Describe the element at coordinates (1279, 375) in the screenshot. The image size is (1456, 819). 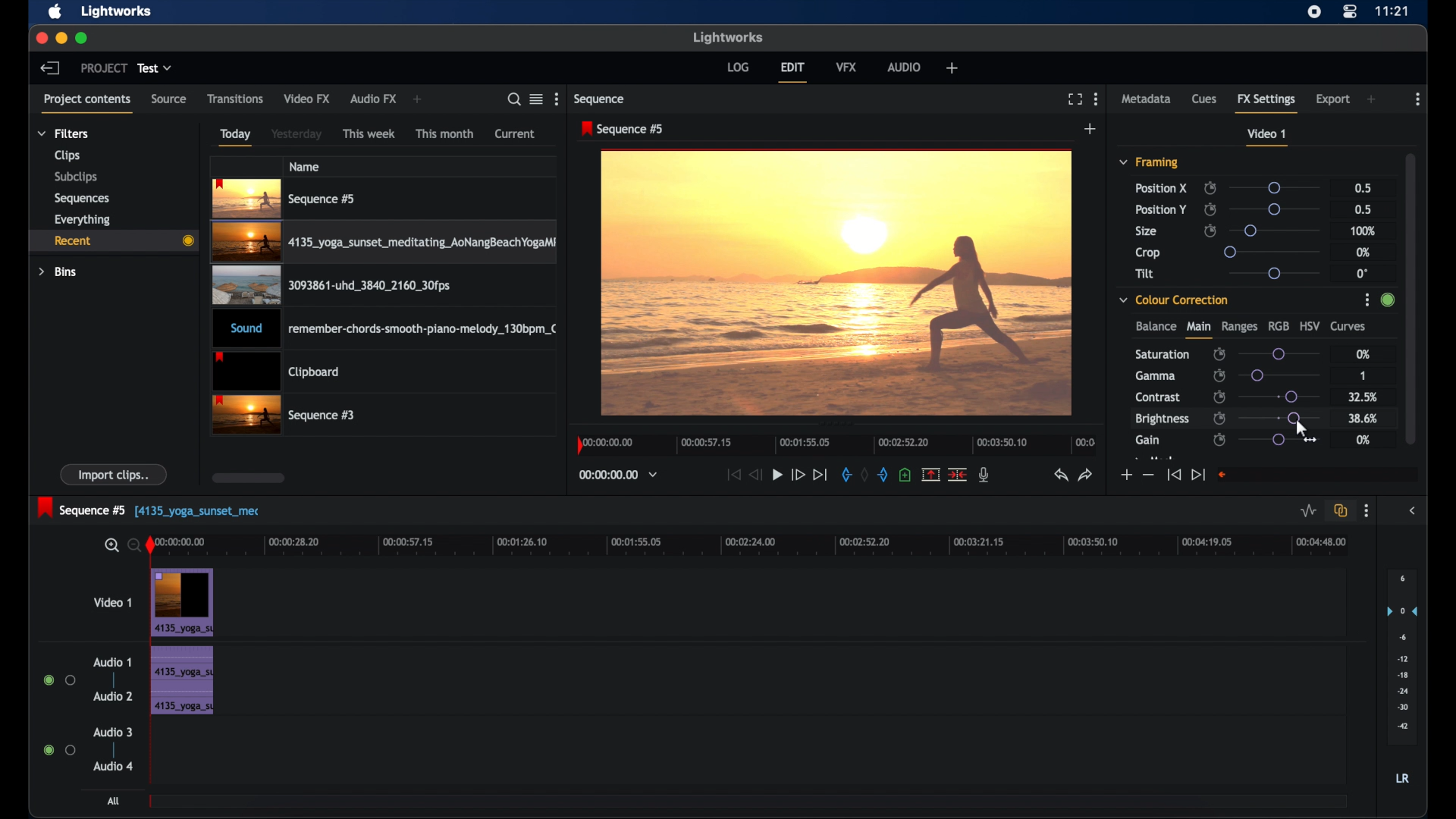
I see `slider` at that location.